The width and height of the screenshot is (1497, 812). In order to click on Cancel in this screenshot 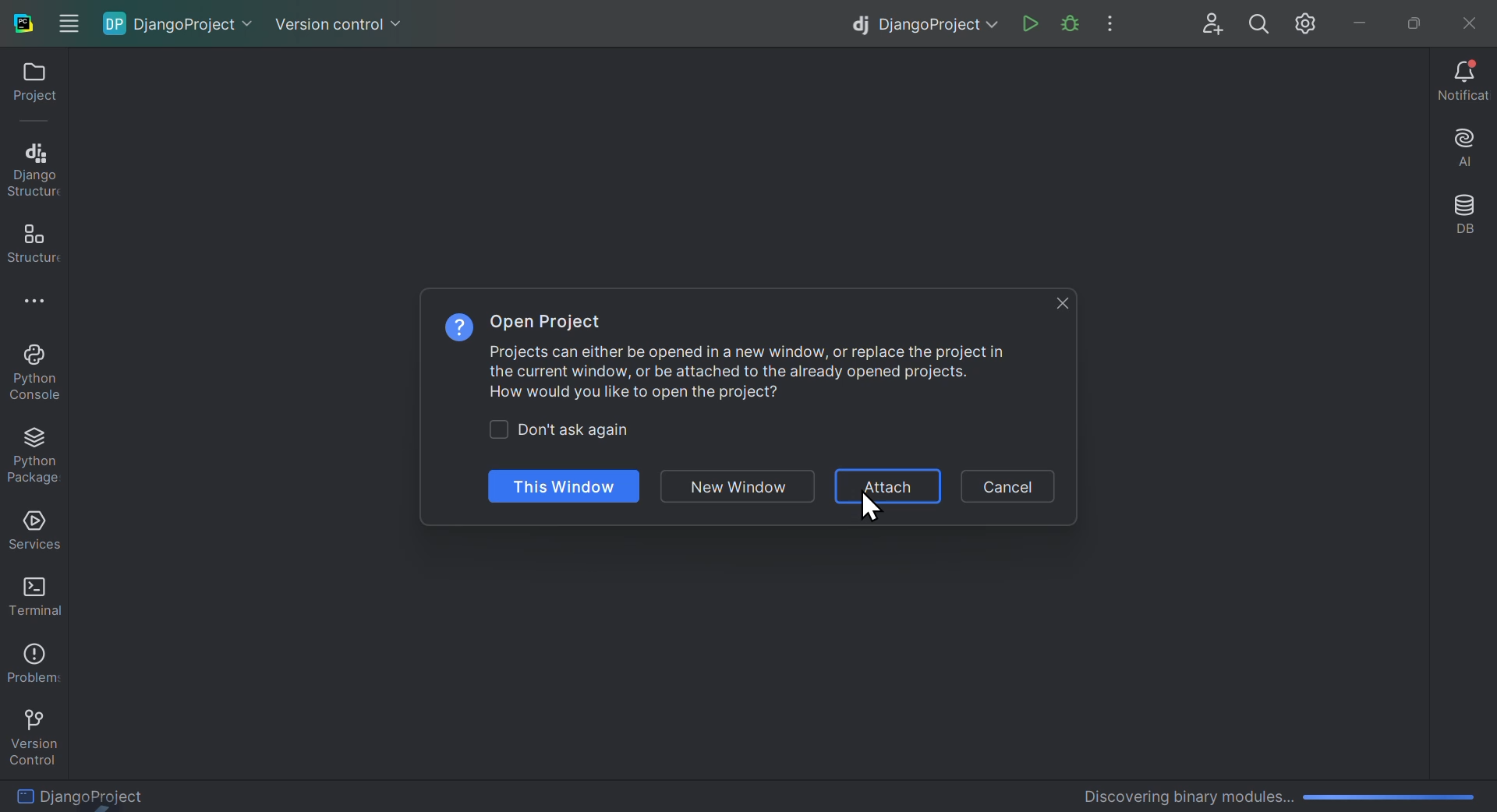, I will do `click(1013, 485)`.